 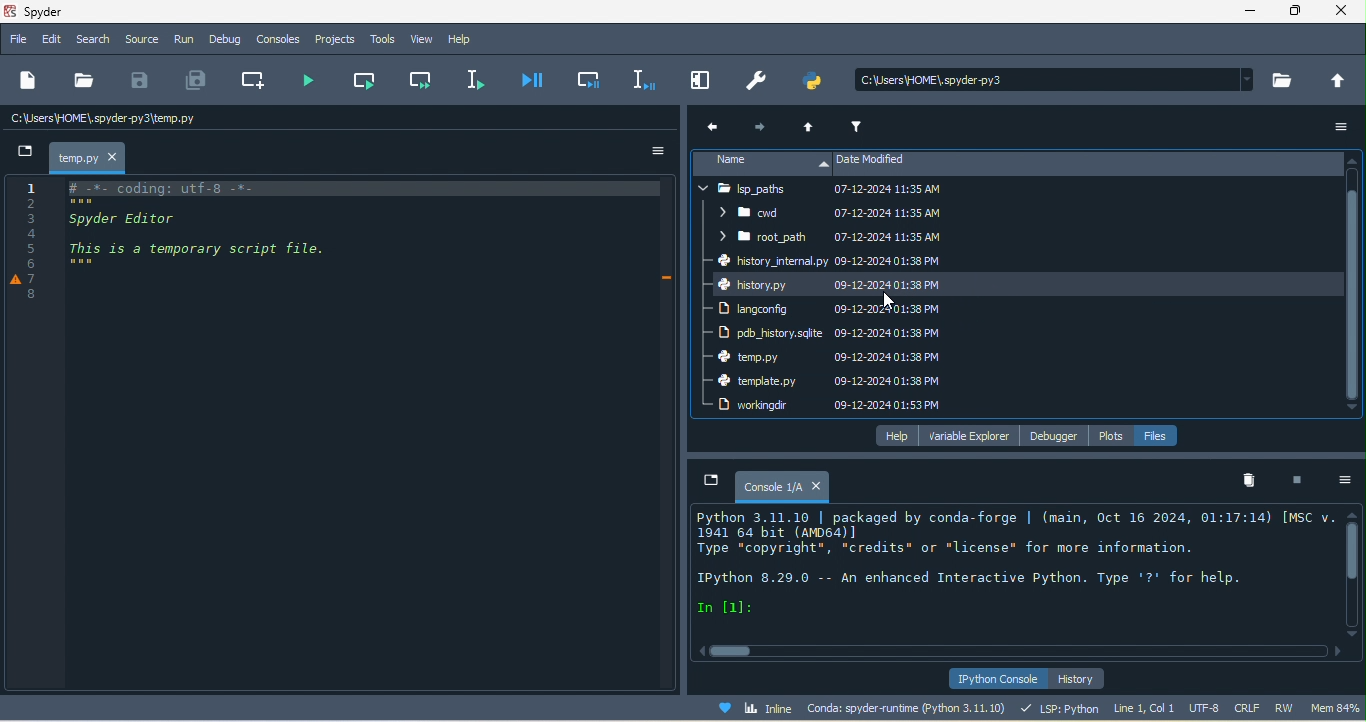 What do you see at coordinates (140, 39) in the screenshot?
I see `source` at bounding box center [140, 39].